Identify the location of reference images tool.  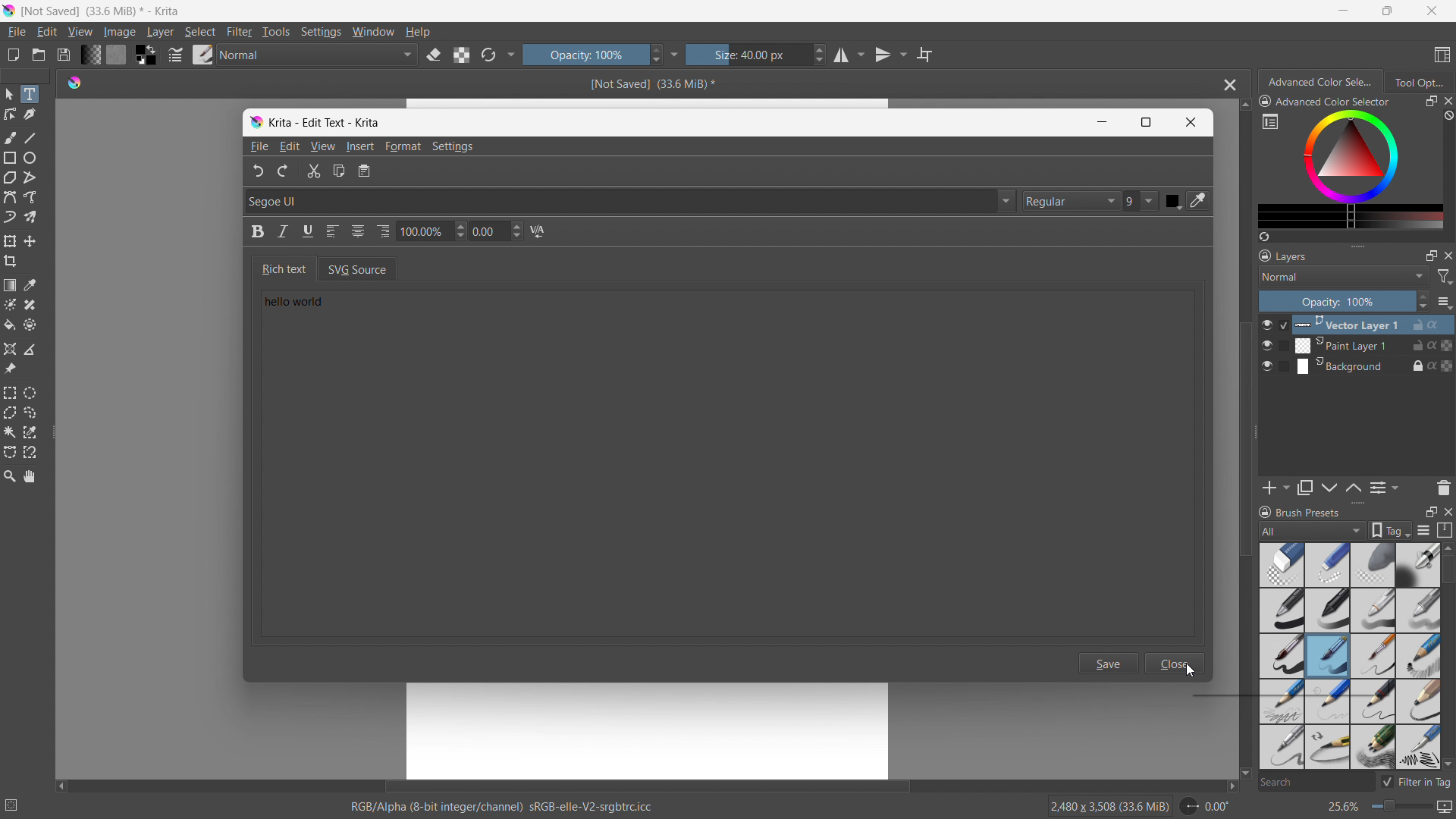
(10, 369).